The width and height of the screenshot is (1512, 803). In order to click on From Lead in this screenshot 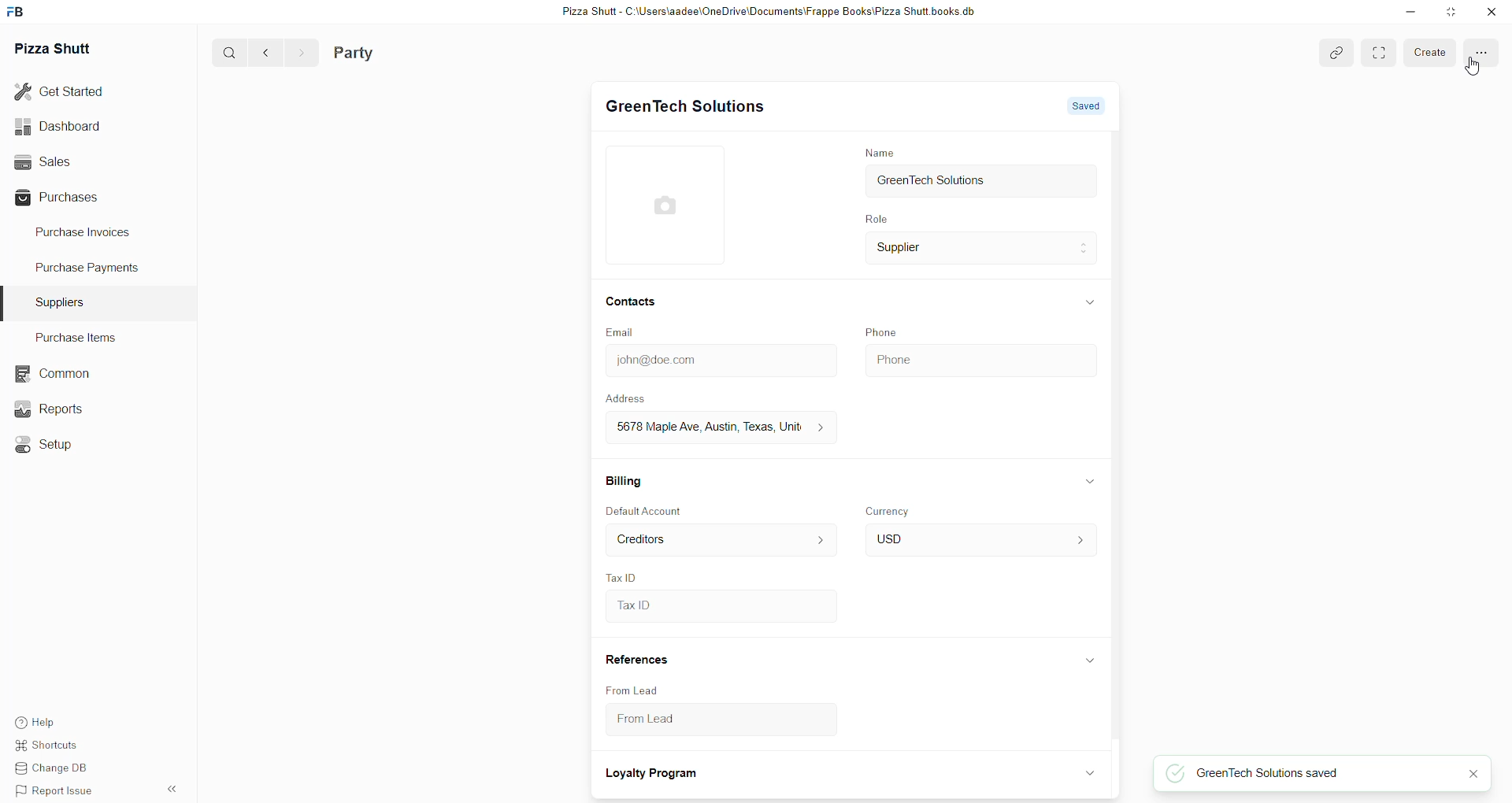, I will do `click(705, 723)`.